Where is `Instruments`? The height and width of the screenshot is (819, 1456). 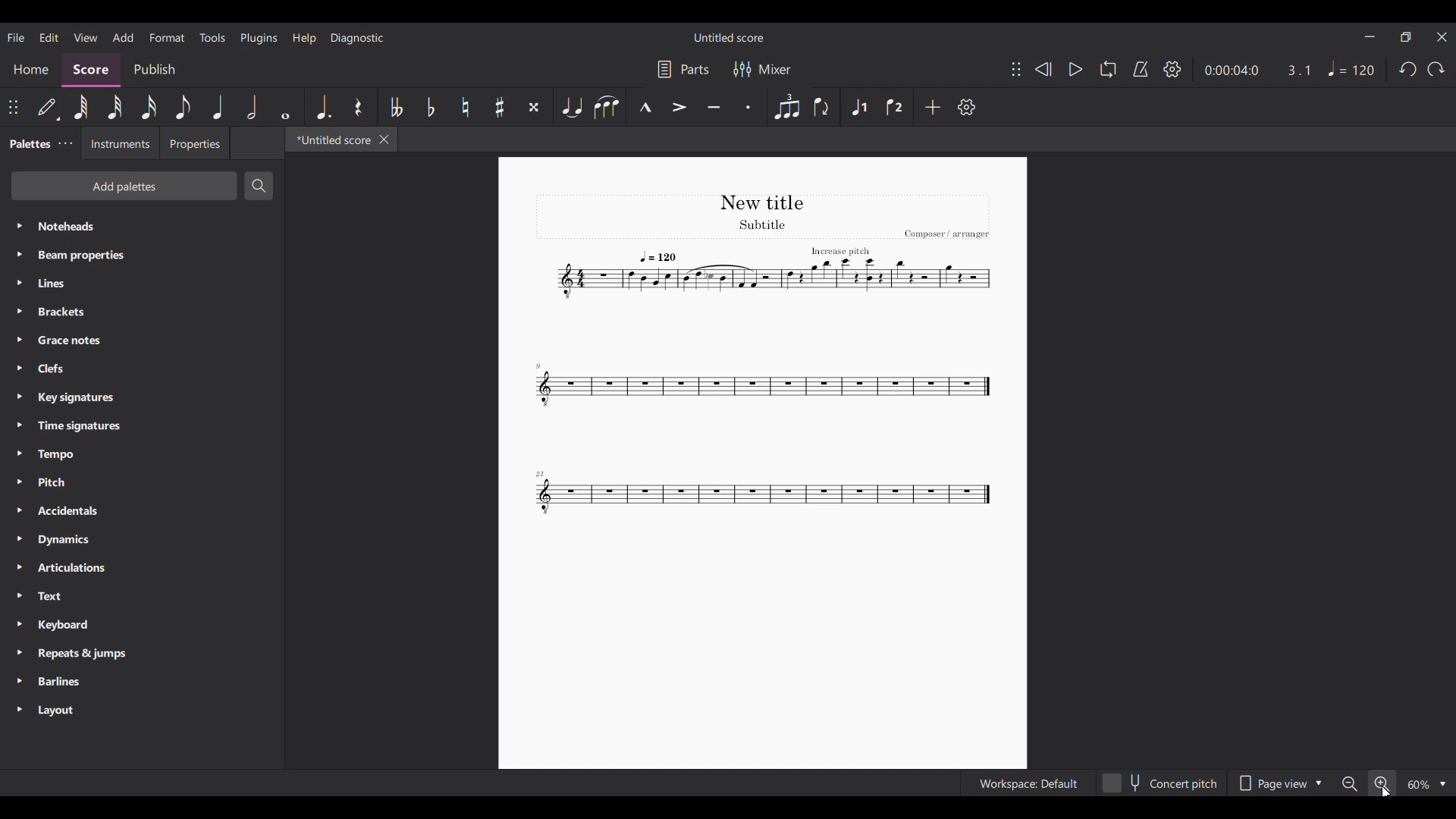 Instruments is located at coordinates (120, 143).